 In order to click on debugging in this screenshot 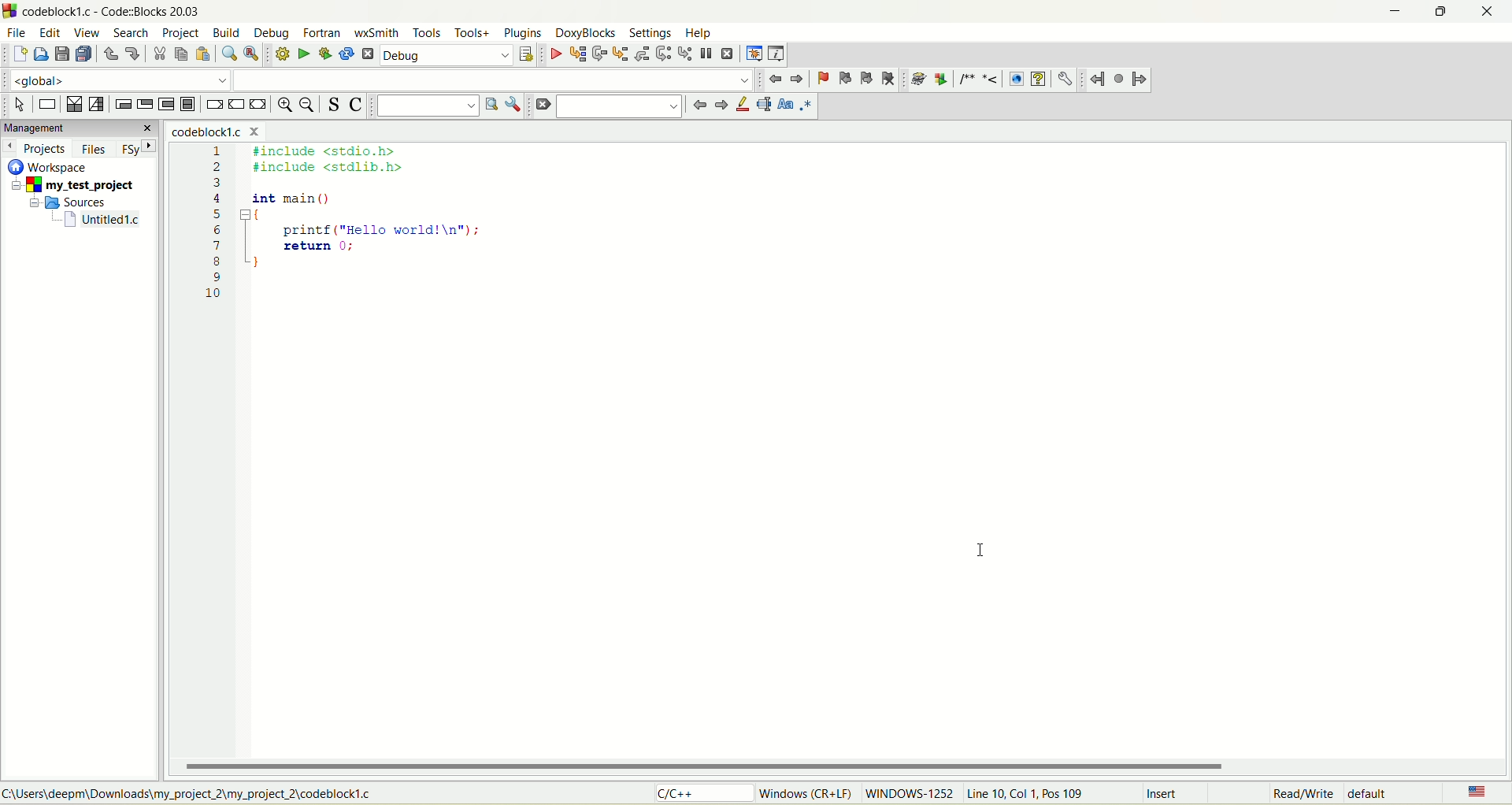, I will do `click(754, 54)`.